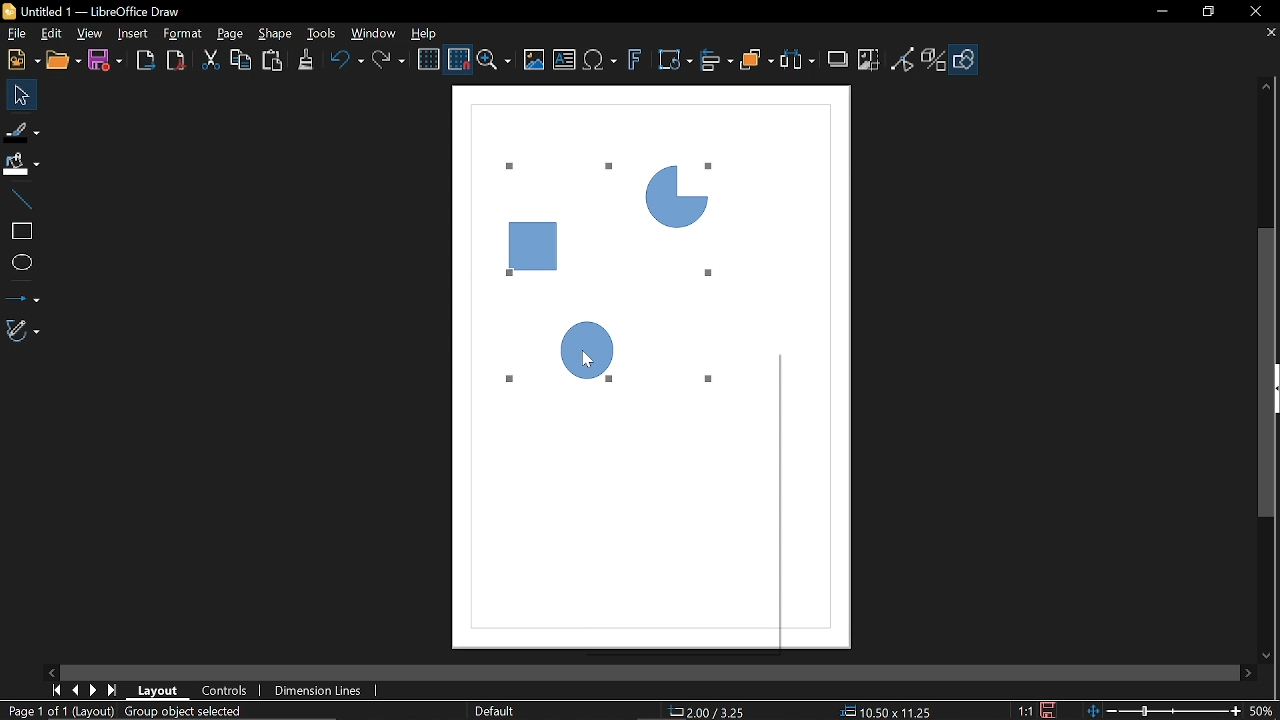  I want to click on Minimize, so click(1157, 12).